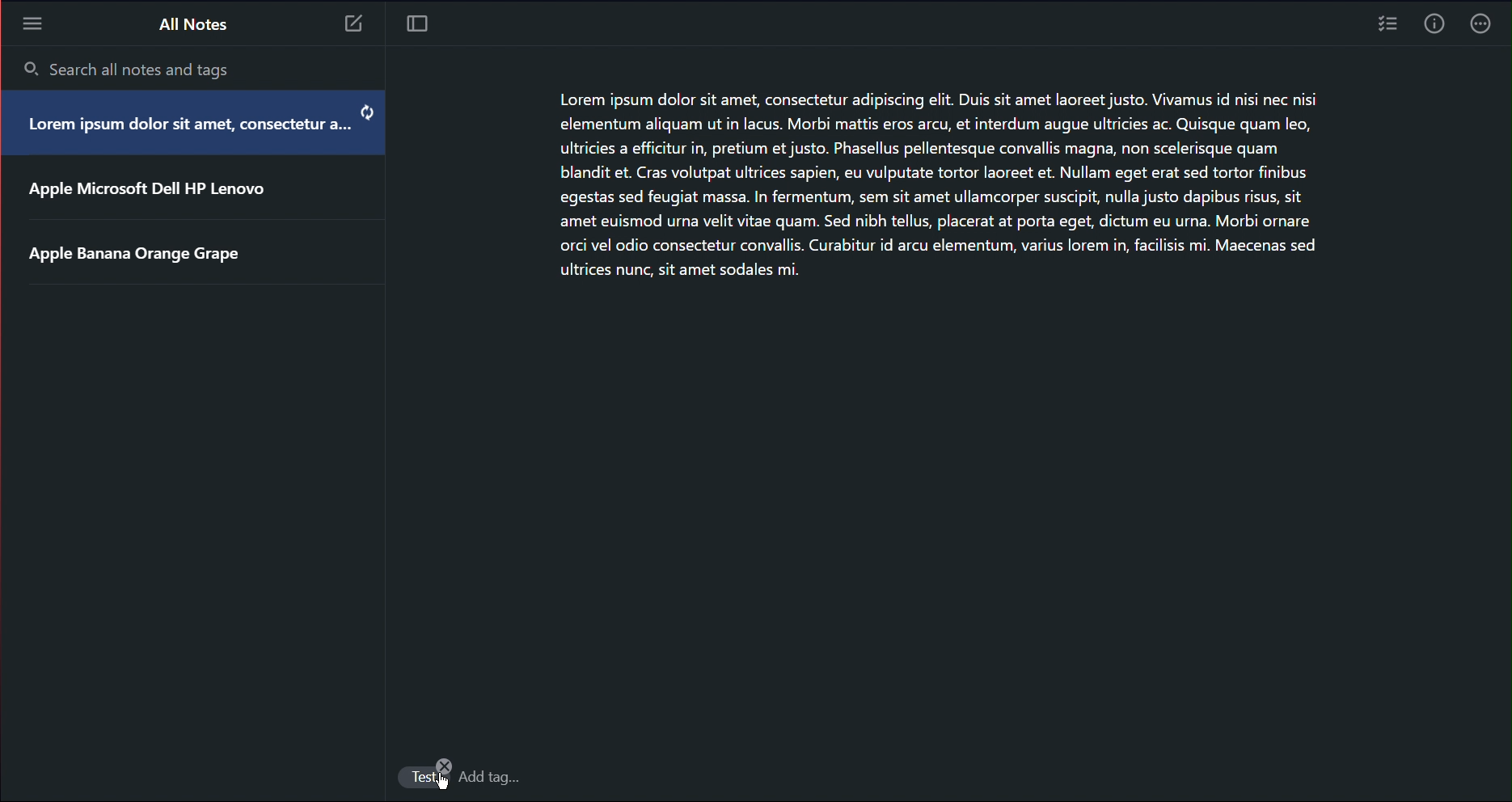 This screenshot has height=802, width=1512. What do you see at coordinates (192, 23) in the screenshot?
I see `All Notes` at bounding box center [192, 23].